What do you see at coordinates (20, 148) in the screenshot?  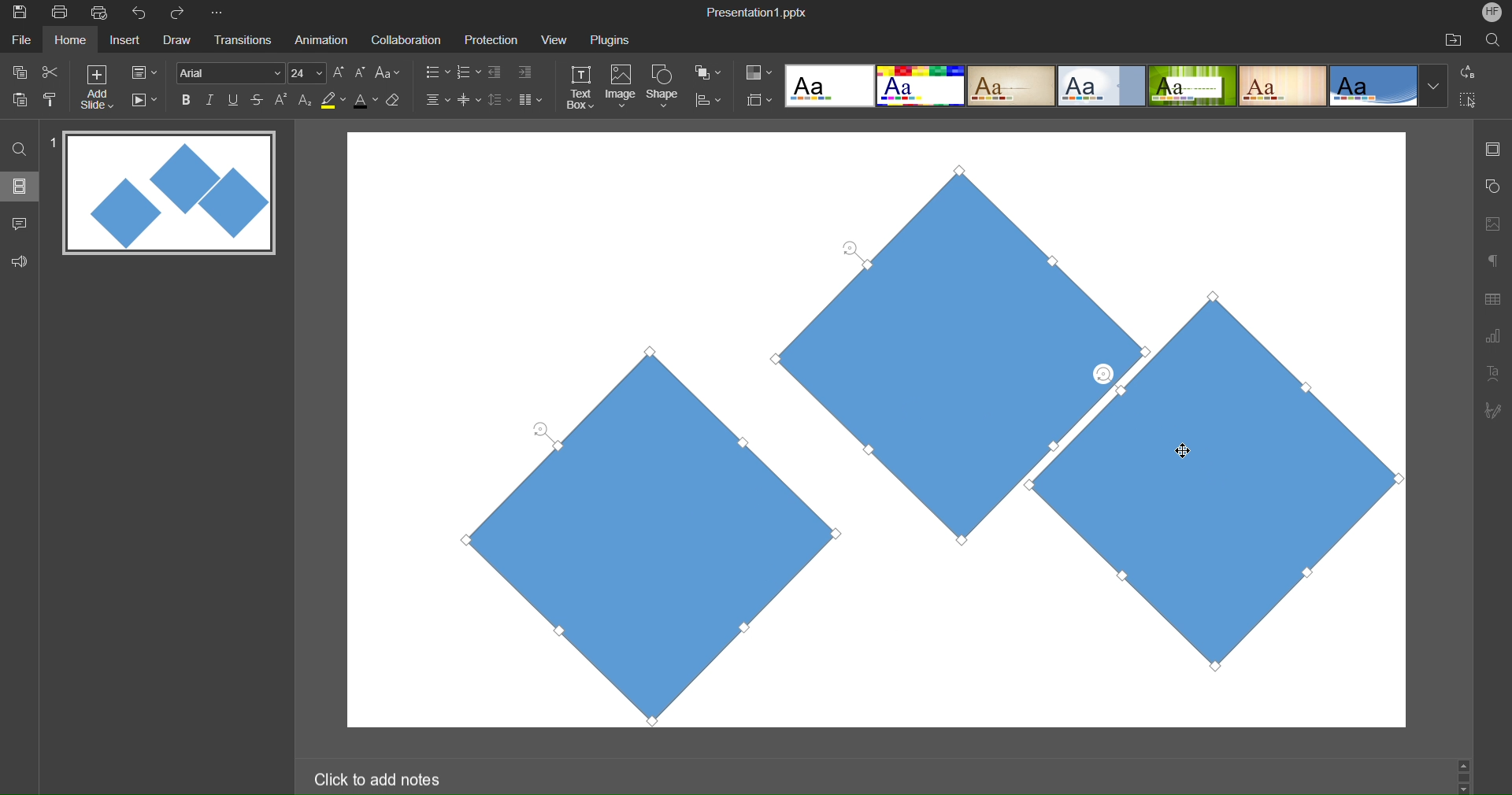 I see `search` at bounding box center [20, 148].